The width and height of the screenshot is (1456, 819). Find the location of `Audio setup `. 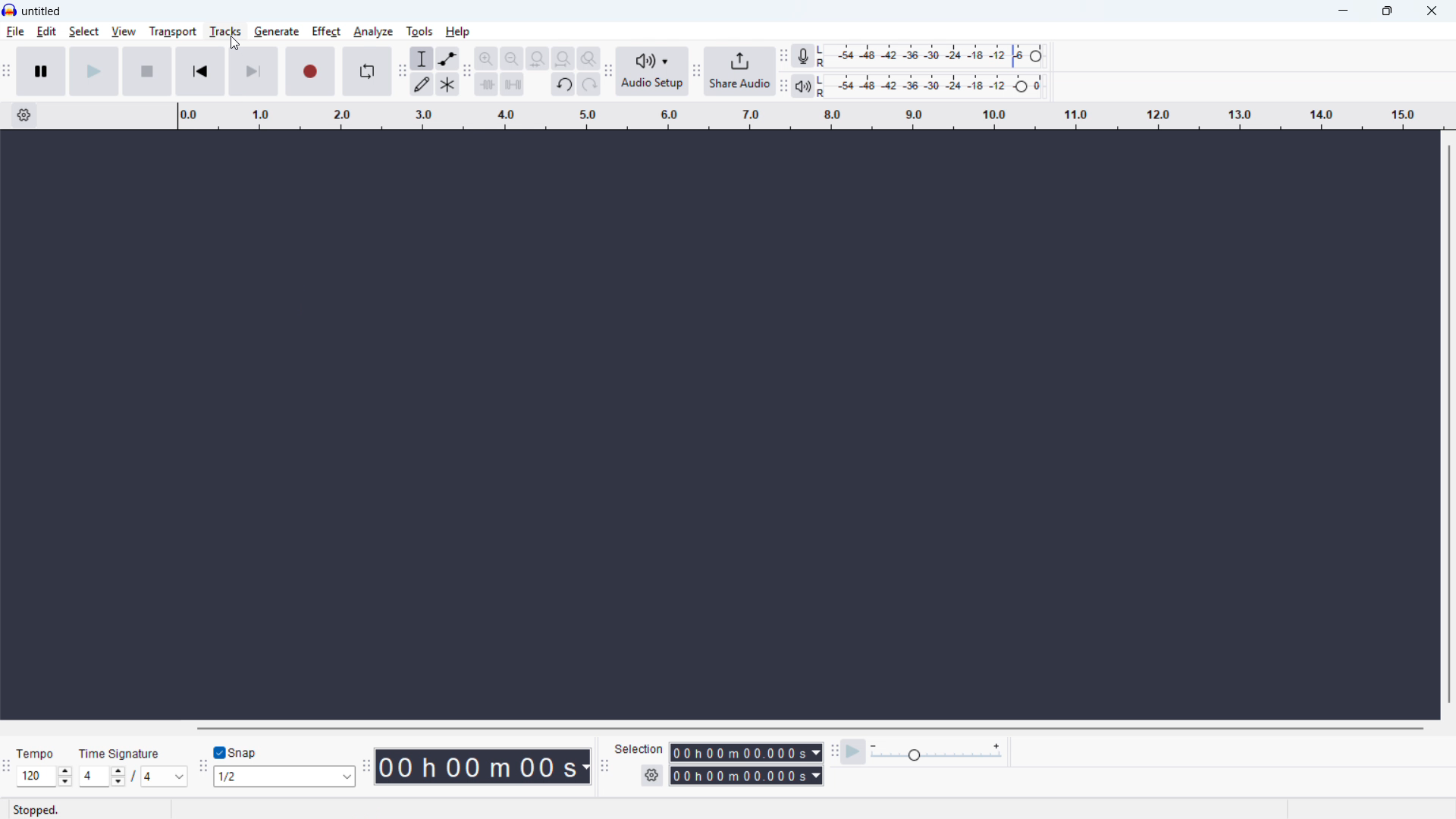

Audio setup  is located at coordinates (653, 72).